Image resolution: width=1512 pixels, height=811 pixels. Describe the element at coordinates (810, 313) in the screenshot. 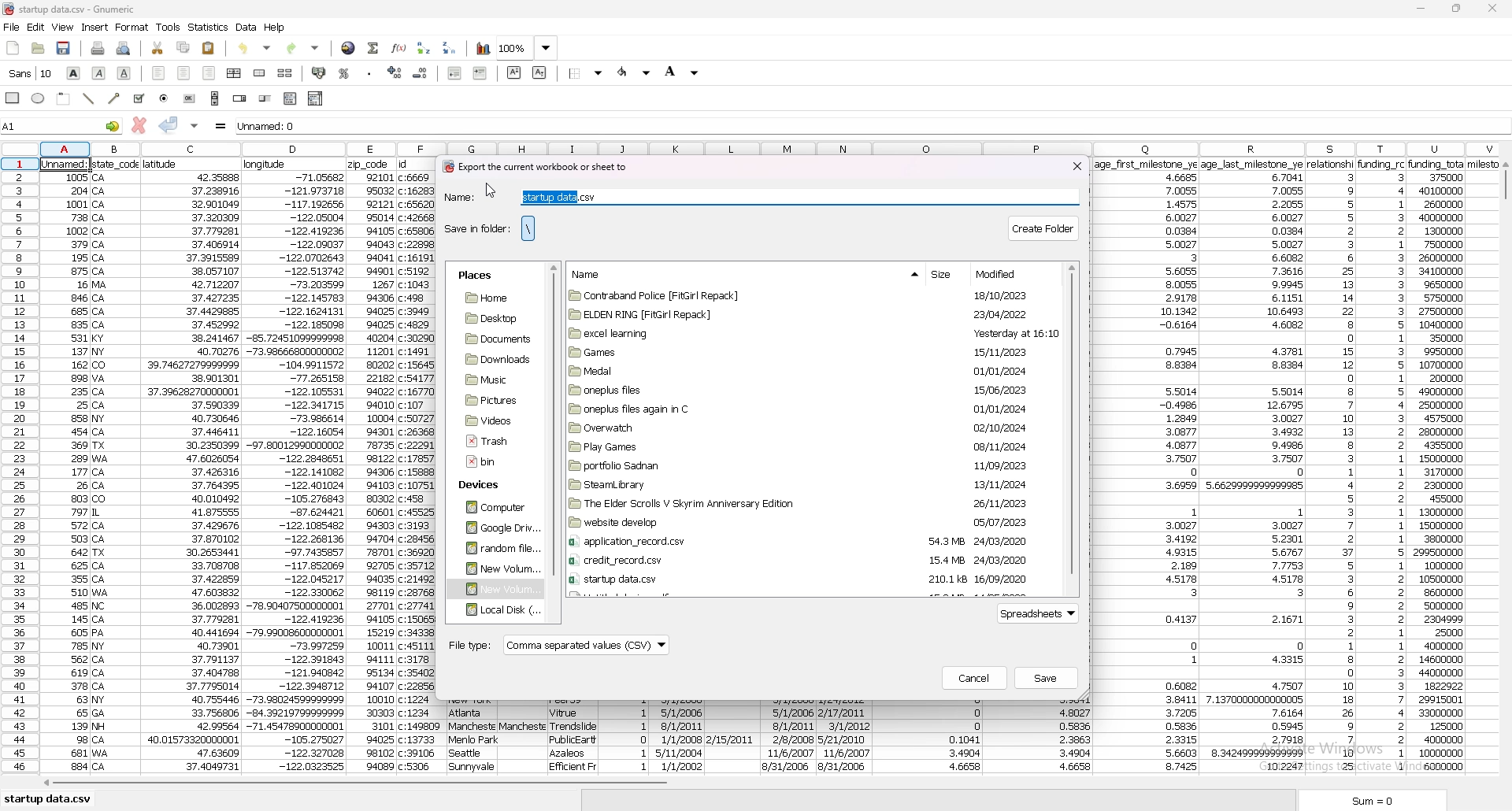

I see `folder` at that location.